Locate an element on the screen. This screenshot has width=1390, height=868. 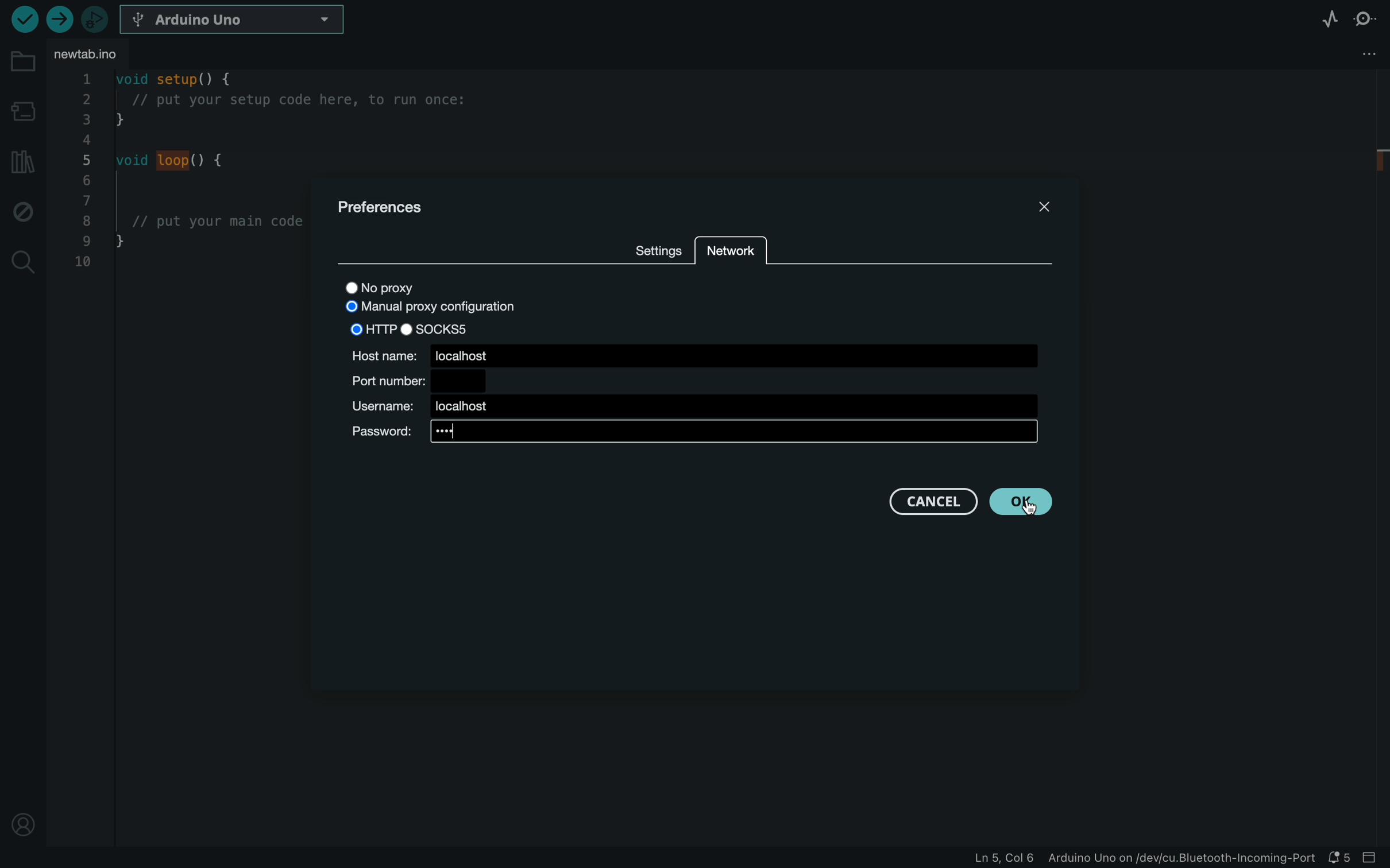
no proxy is located at coordinates (410, 286).